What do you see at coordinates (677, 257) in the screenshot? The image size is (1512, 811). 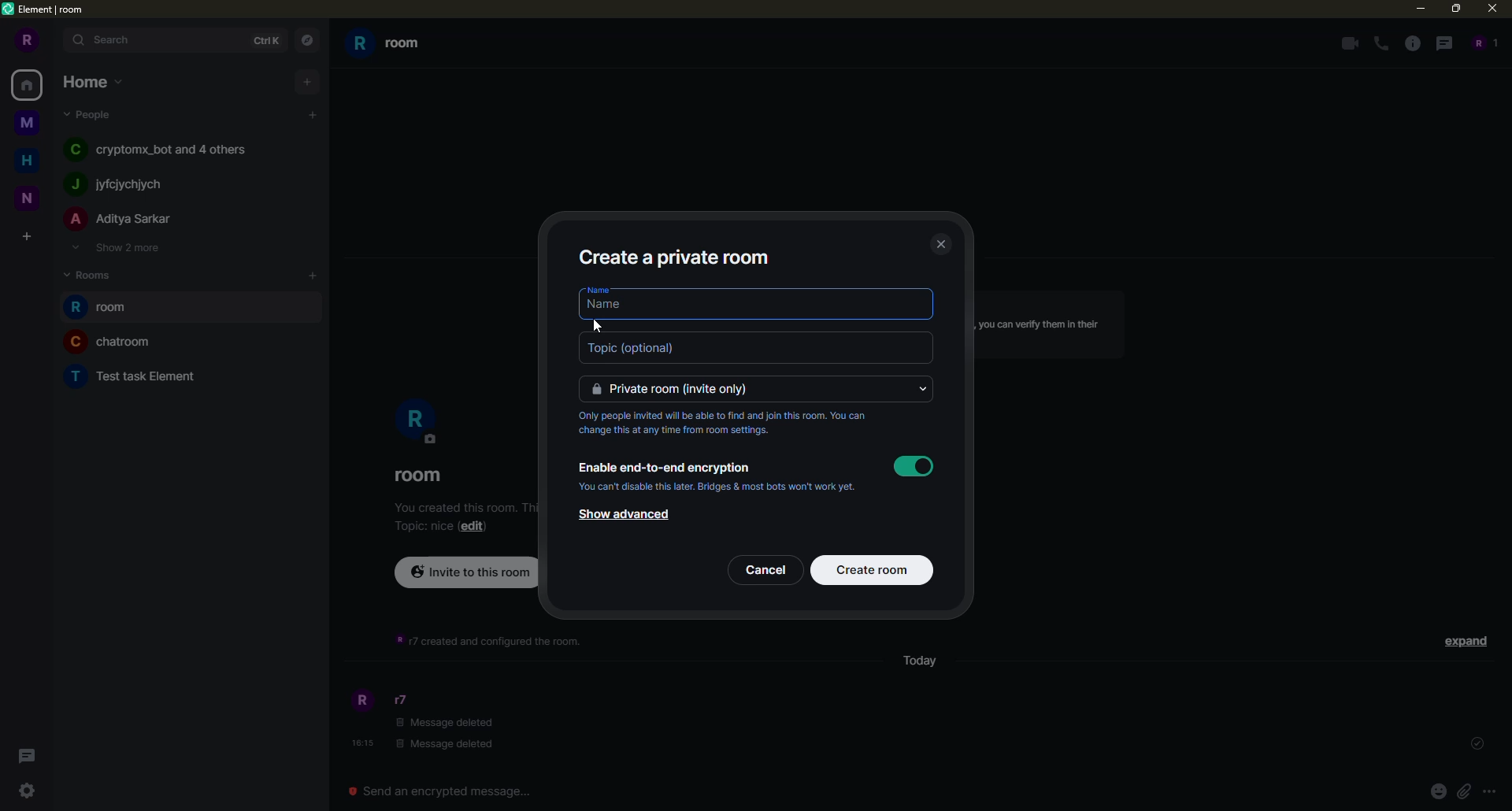 I see `create private room` at bounding box center [677, 257].